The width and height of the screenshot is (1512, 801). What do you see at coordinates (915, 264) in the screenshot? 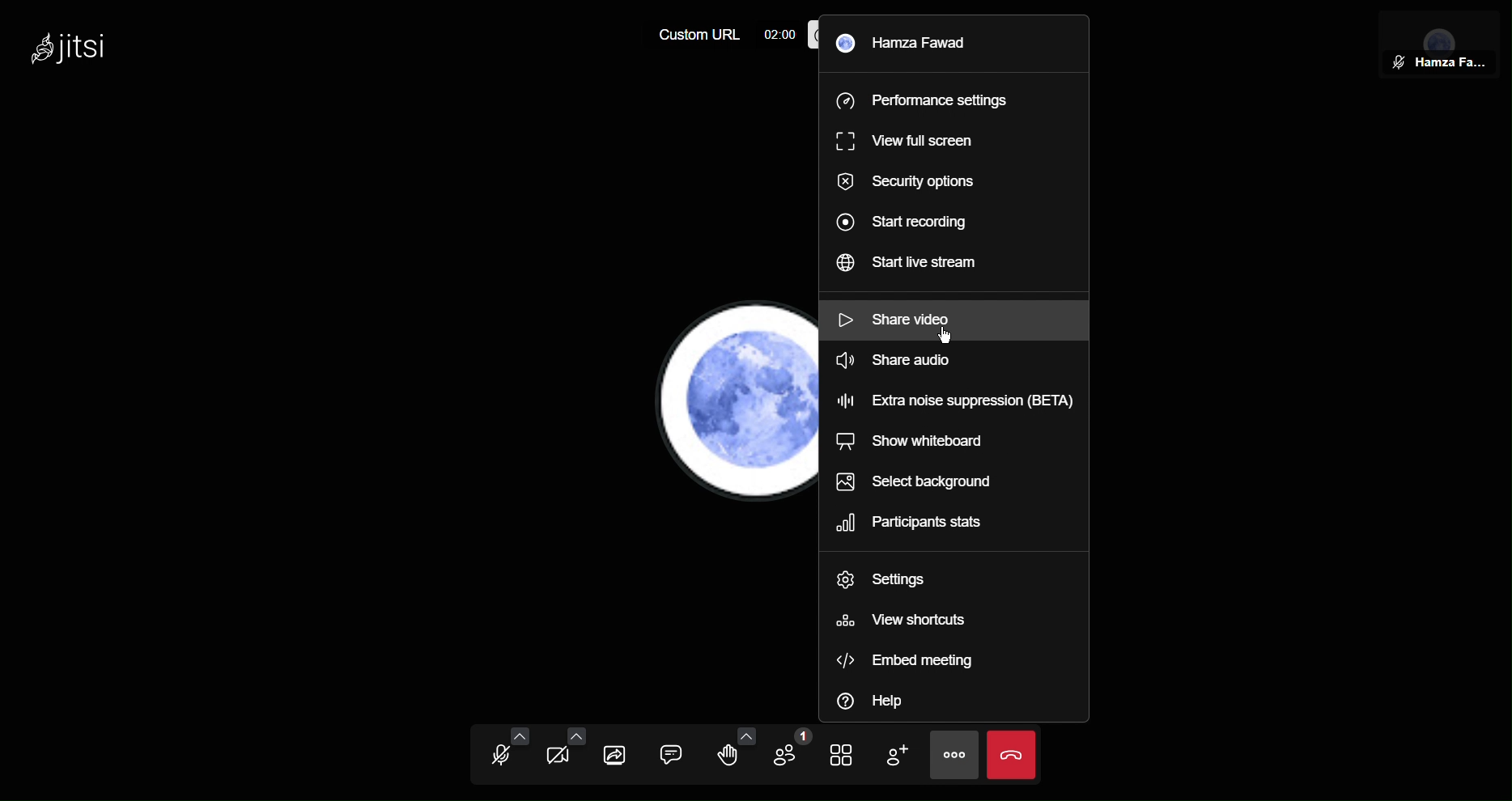
I see `Start live stream` at bounding box center [915, 264].